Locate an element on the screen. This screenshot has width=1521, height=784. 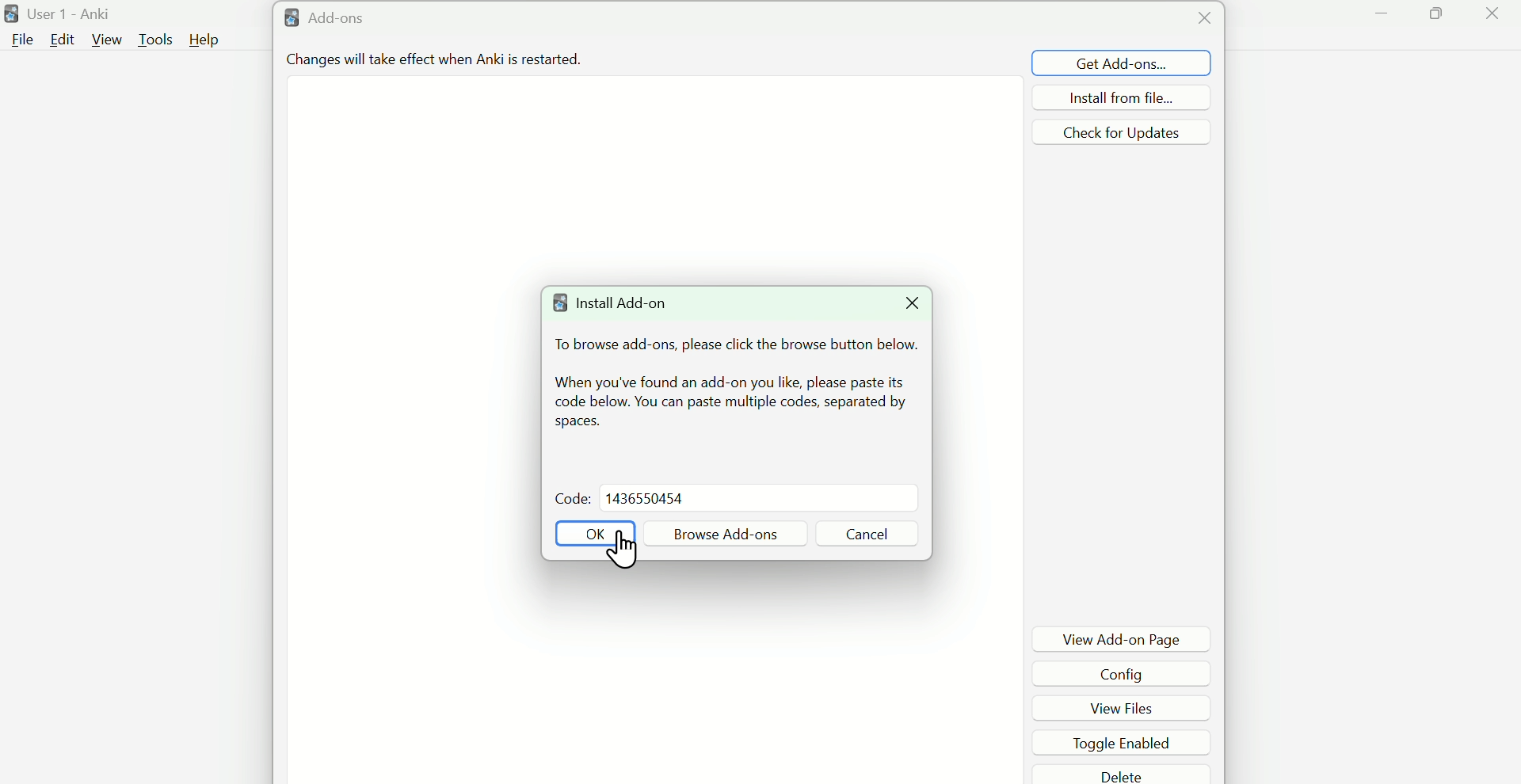
Help is located at coordinates (204, 40).